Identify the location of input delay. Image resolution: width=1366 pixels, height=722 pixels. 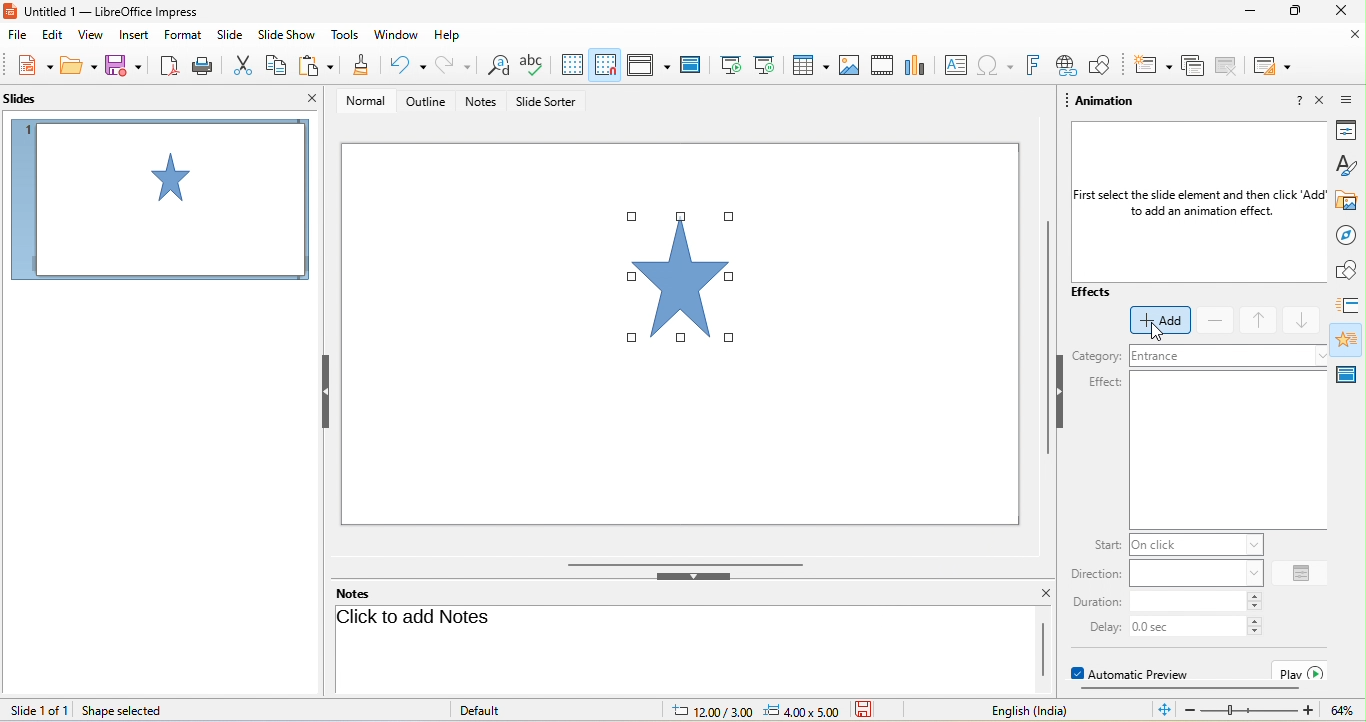
(1189, 626).